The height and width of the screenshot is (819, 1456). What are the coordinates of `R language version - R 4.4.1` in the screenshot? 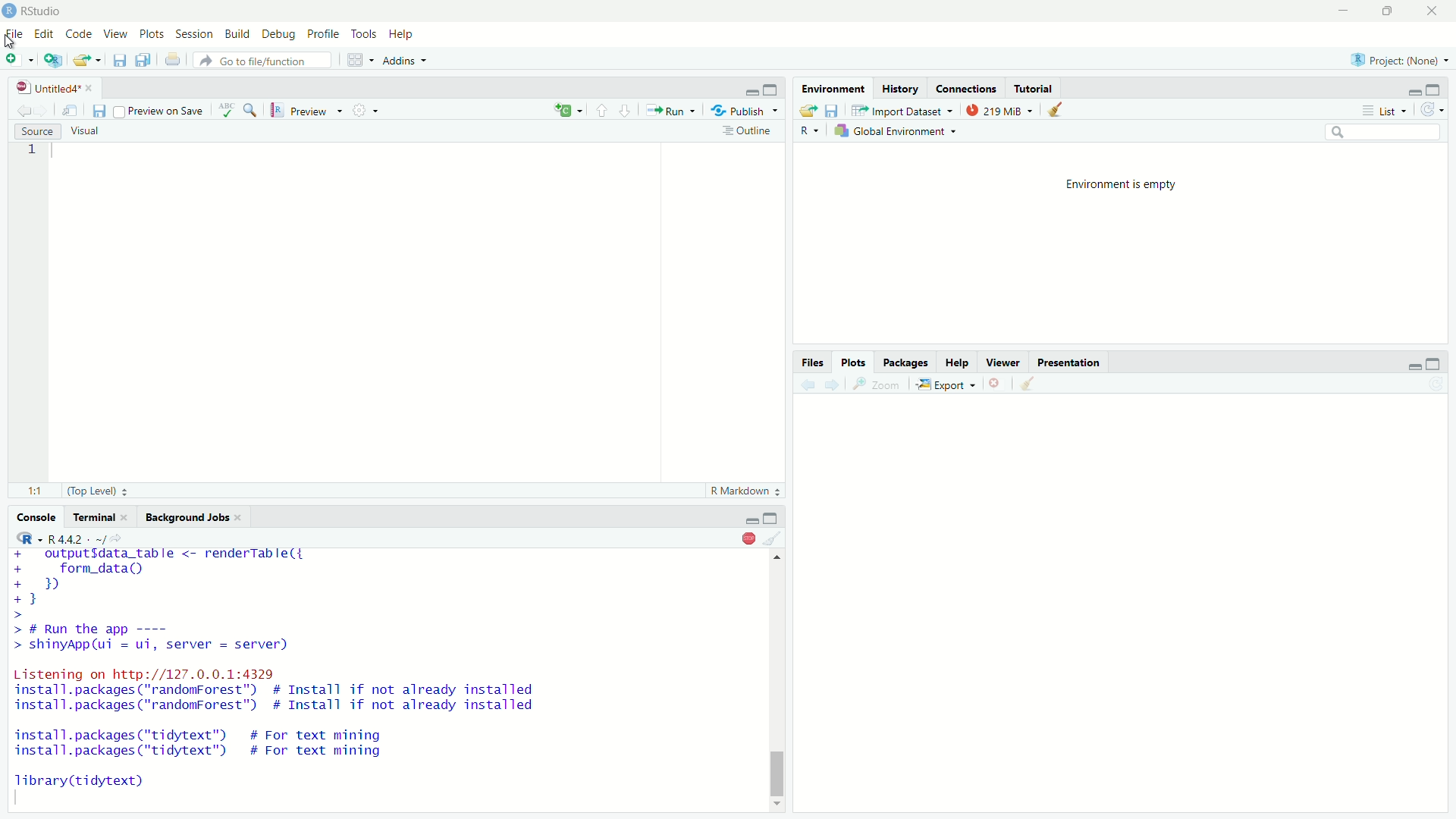 It's located at (70, 538).